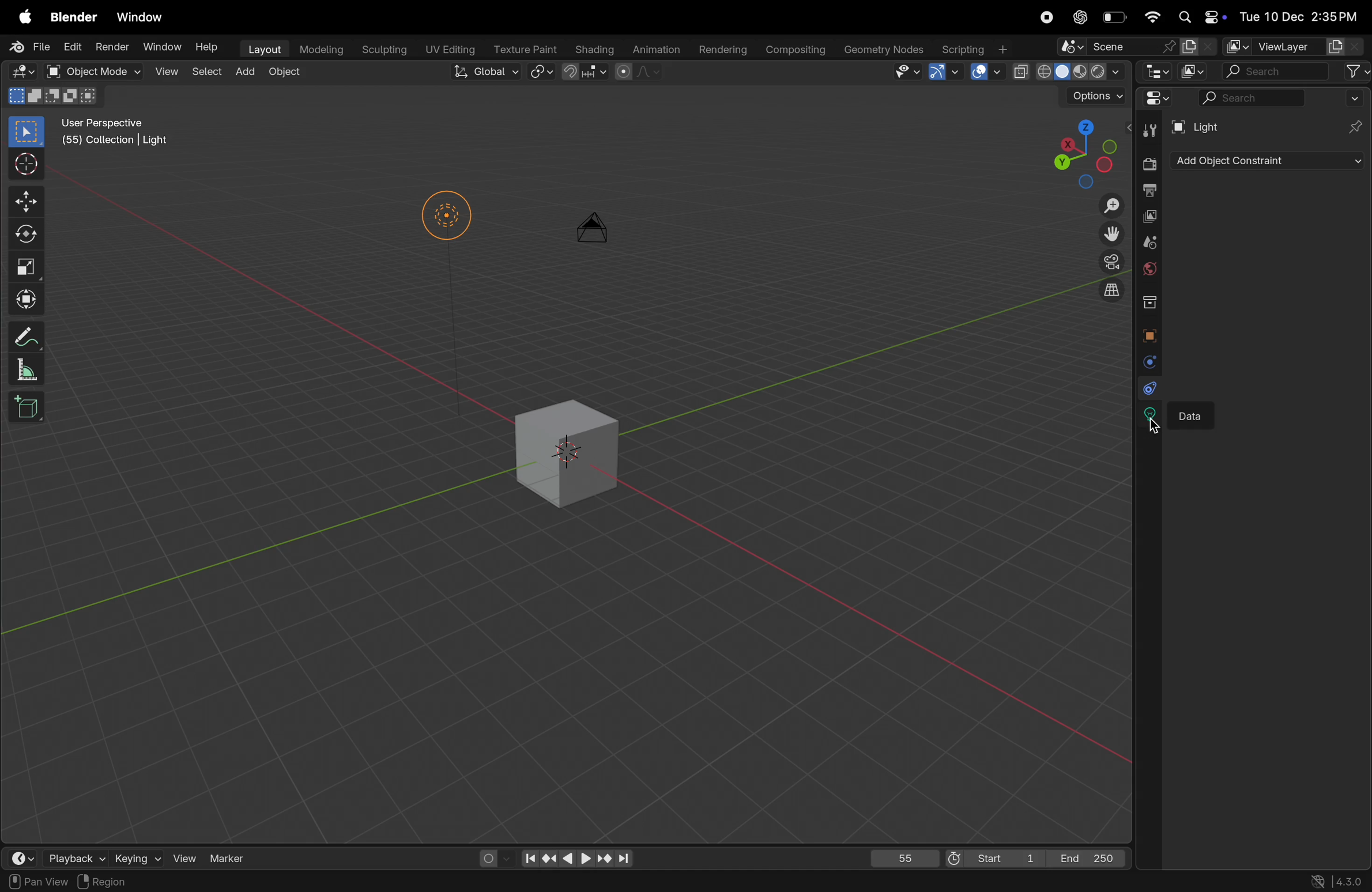 This screenshot has width=1372, height=892. Describe the element at coordinates (1109, 262) in the screenshot. I see `camera` at that location.